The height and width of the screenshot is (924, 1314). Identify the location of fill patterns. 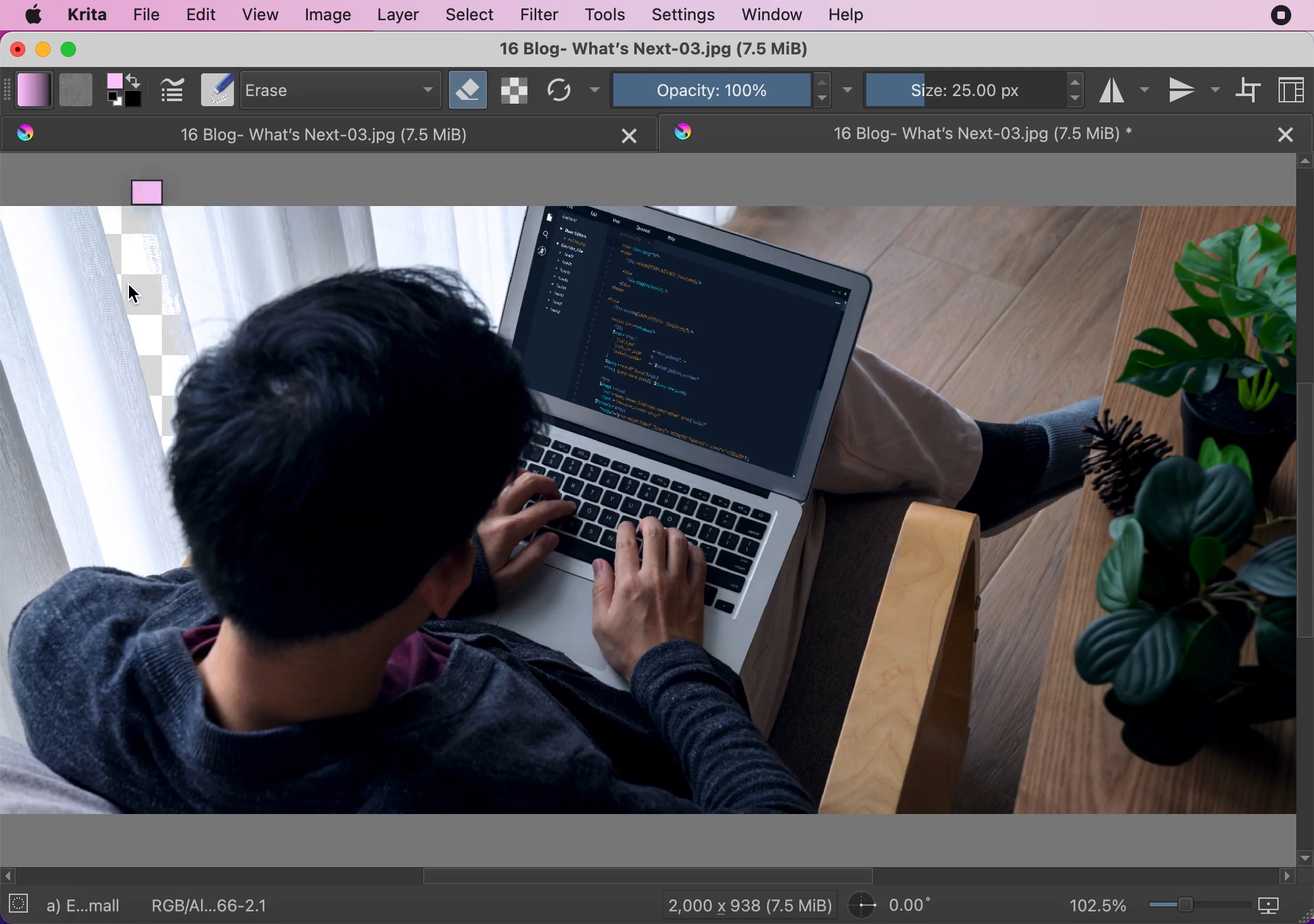
(75, 89).